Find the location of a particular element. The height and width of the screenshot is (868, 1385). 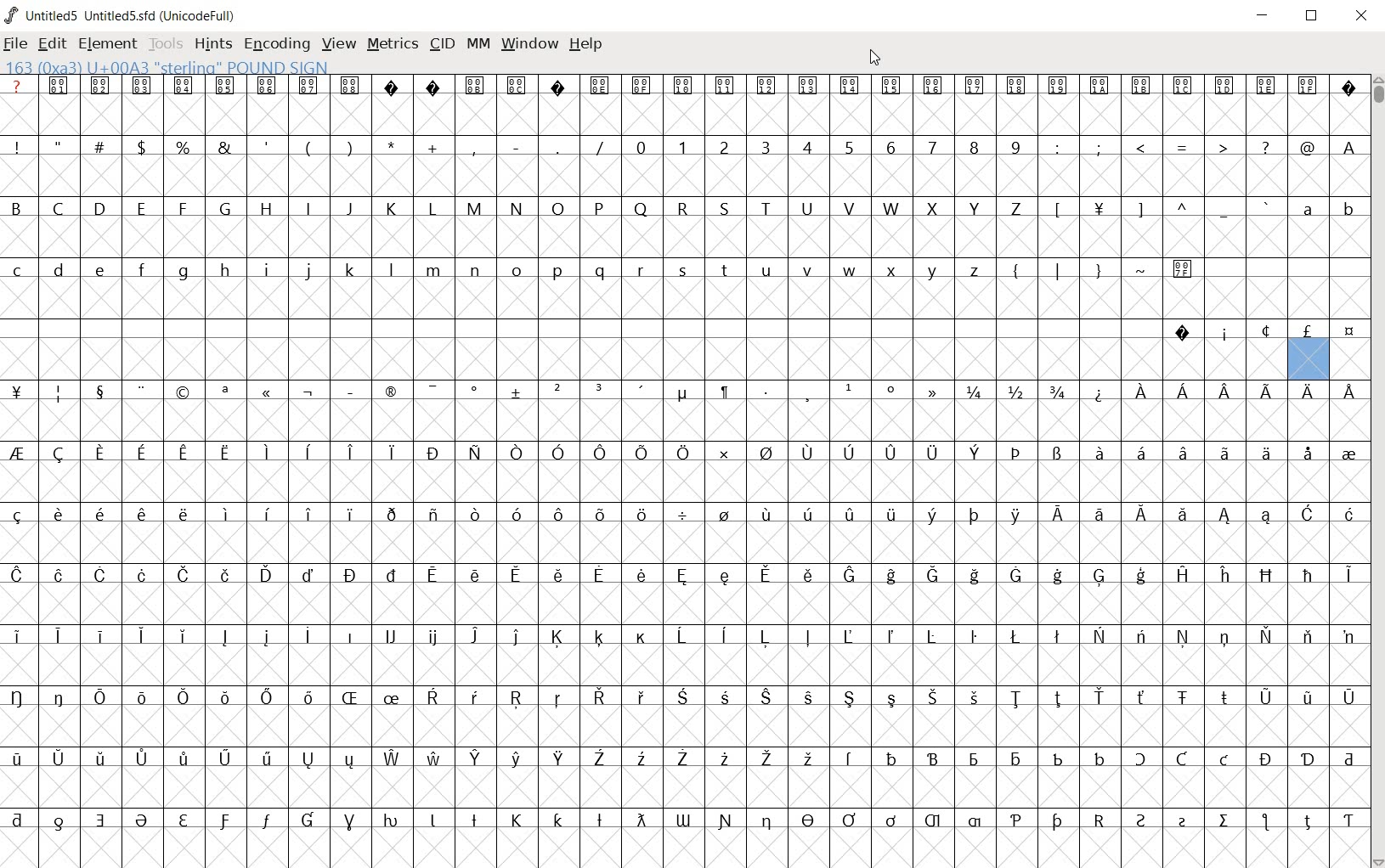

SCROLLBAR is located at coordinates (1377, 471).